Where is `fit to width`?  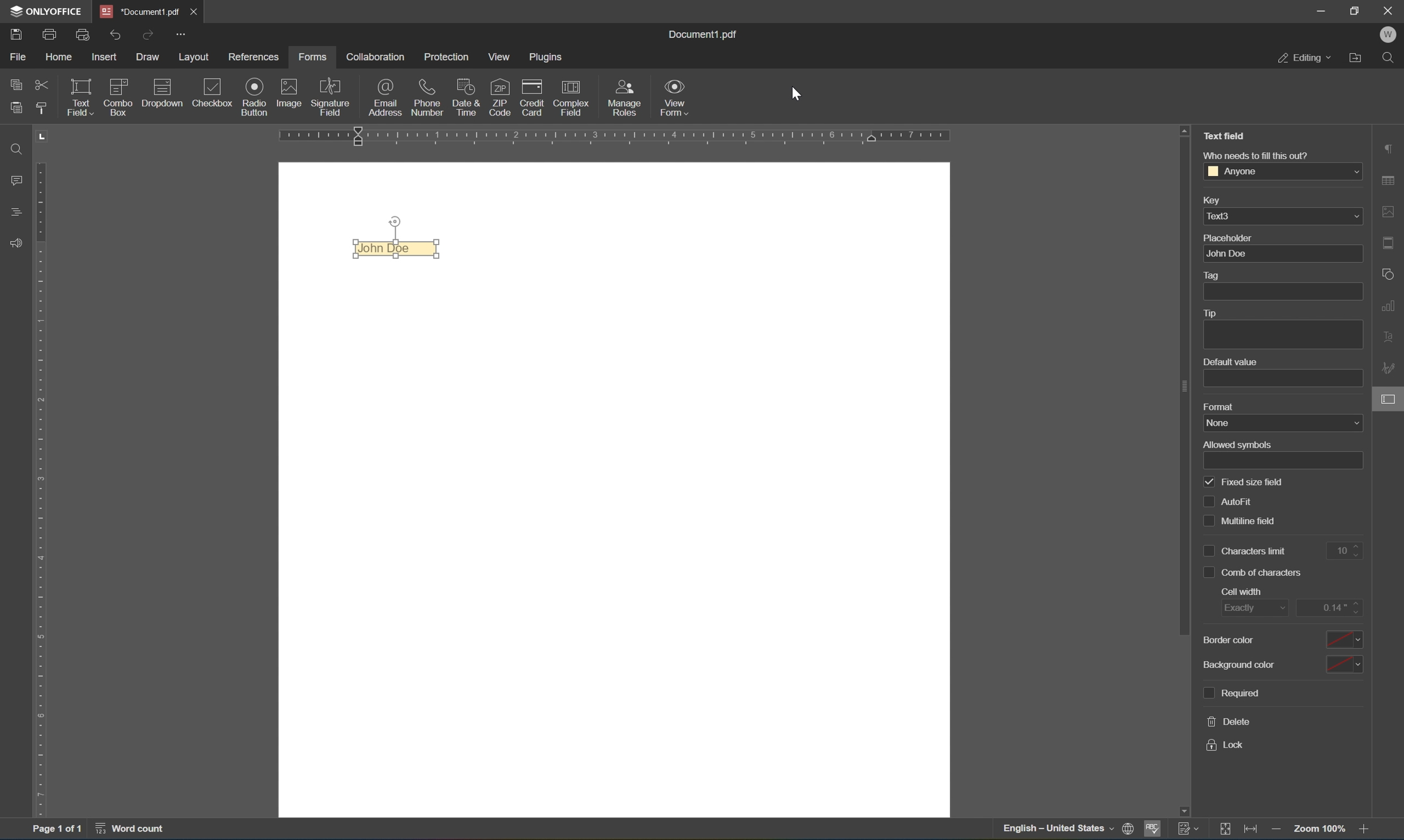 fit to width is located at coordinates (1253, 832).